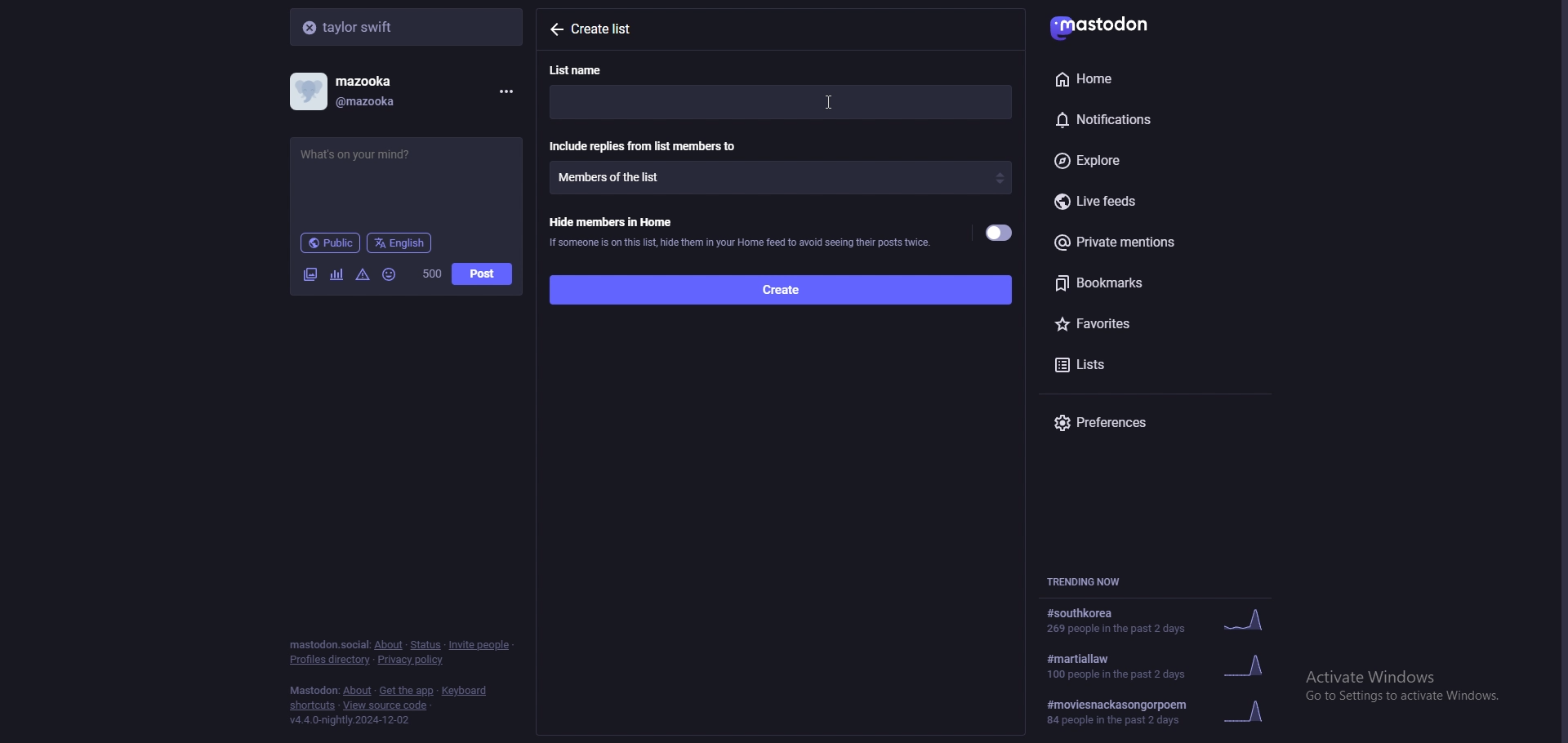  What do you see at coordinates (1157, 621) in the screenshot?
I see `trending` at bounding box center [1157, 621].